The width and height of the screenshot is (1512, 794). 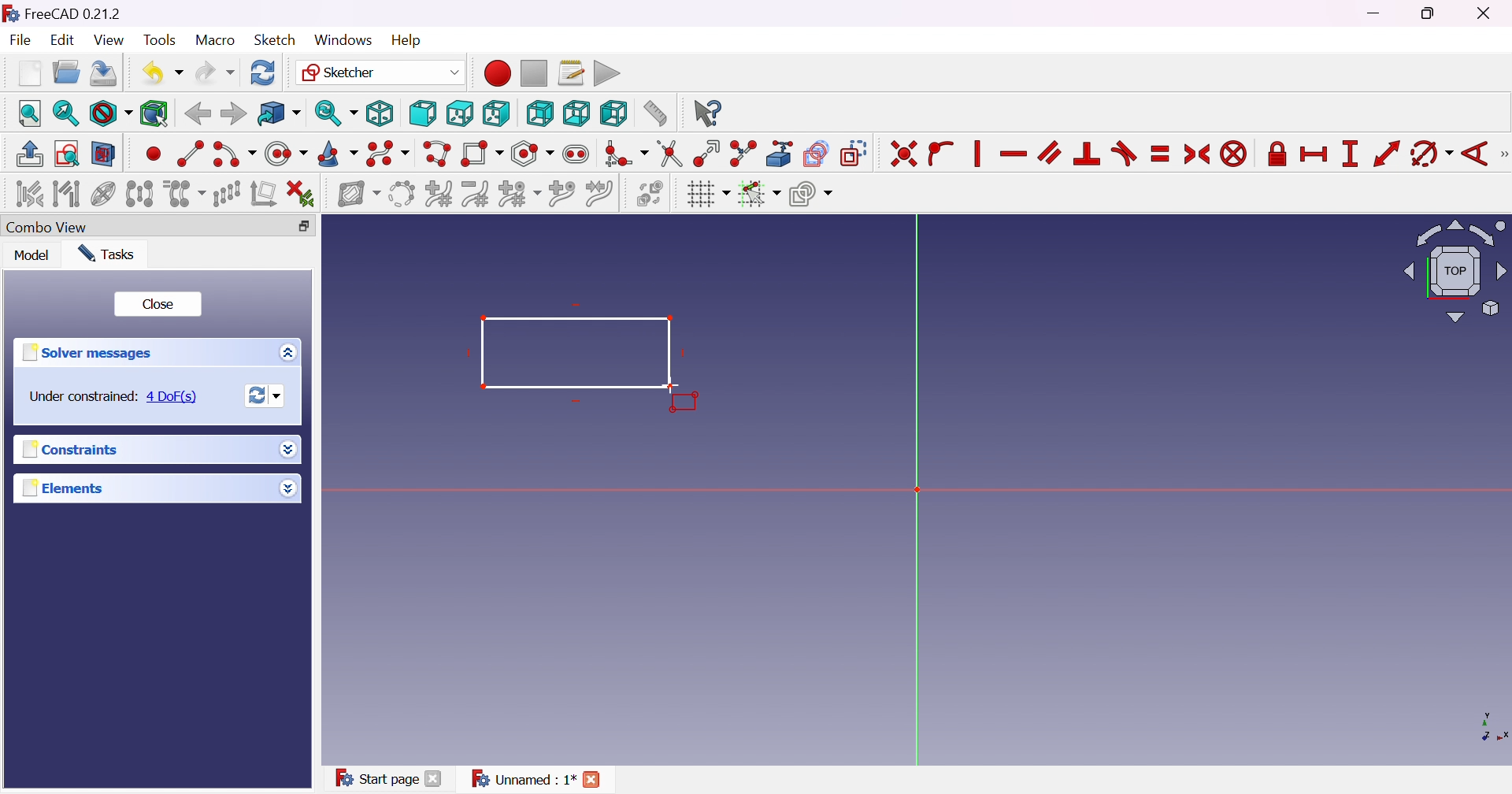 I want to click on Undo, so click(x=161, y=72).